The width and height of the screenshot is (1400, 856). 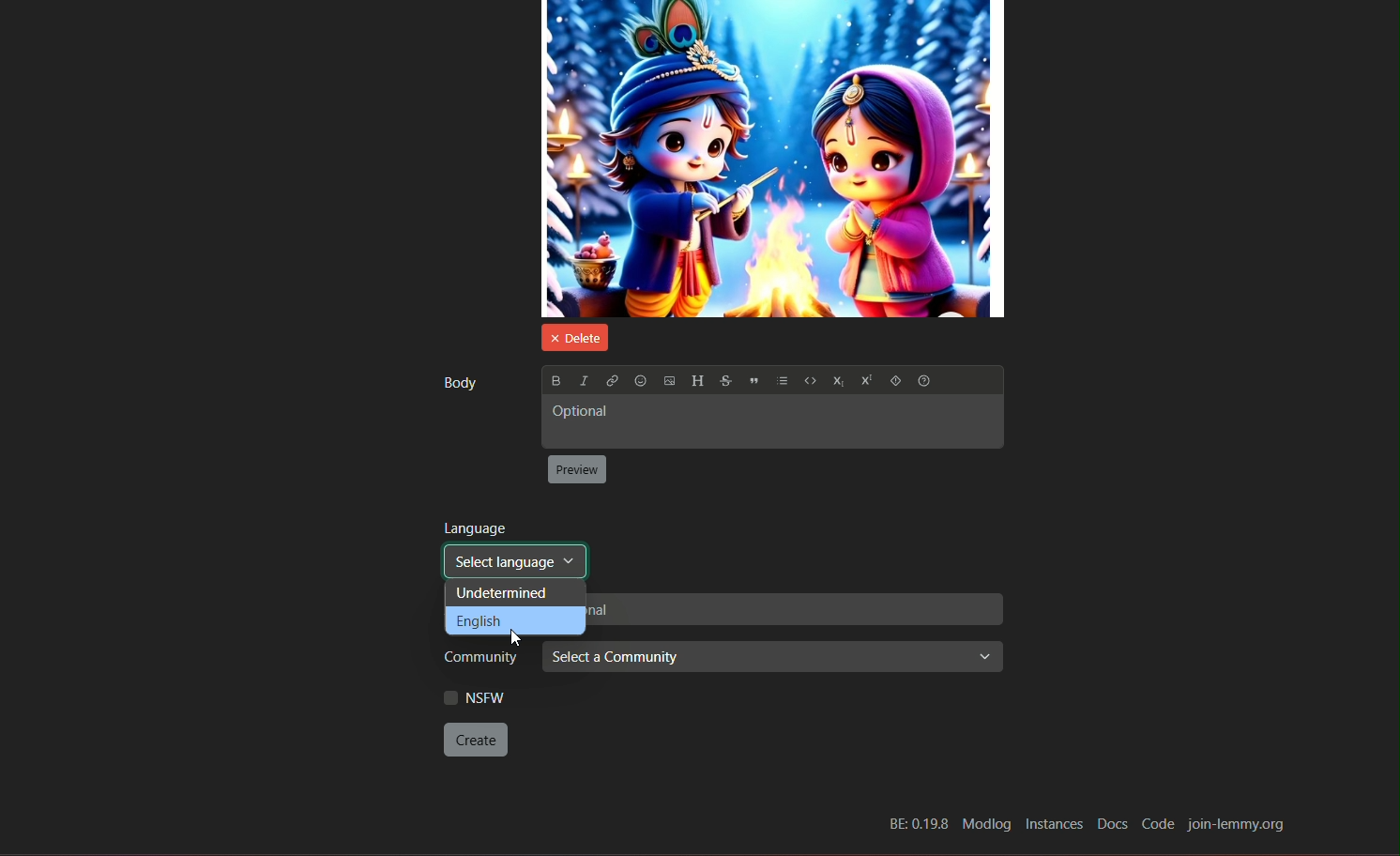 What do you see at coordinates (770, 424) in the screenshot?
I see `Optional` at bounding box center [770, 424].